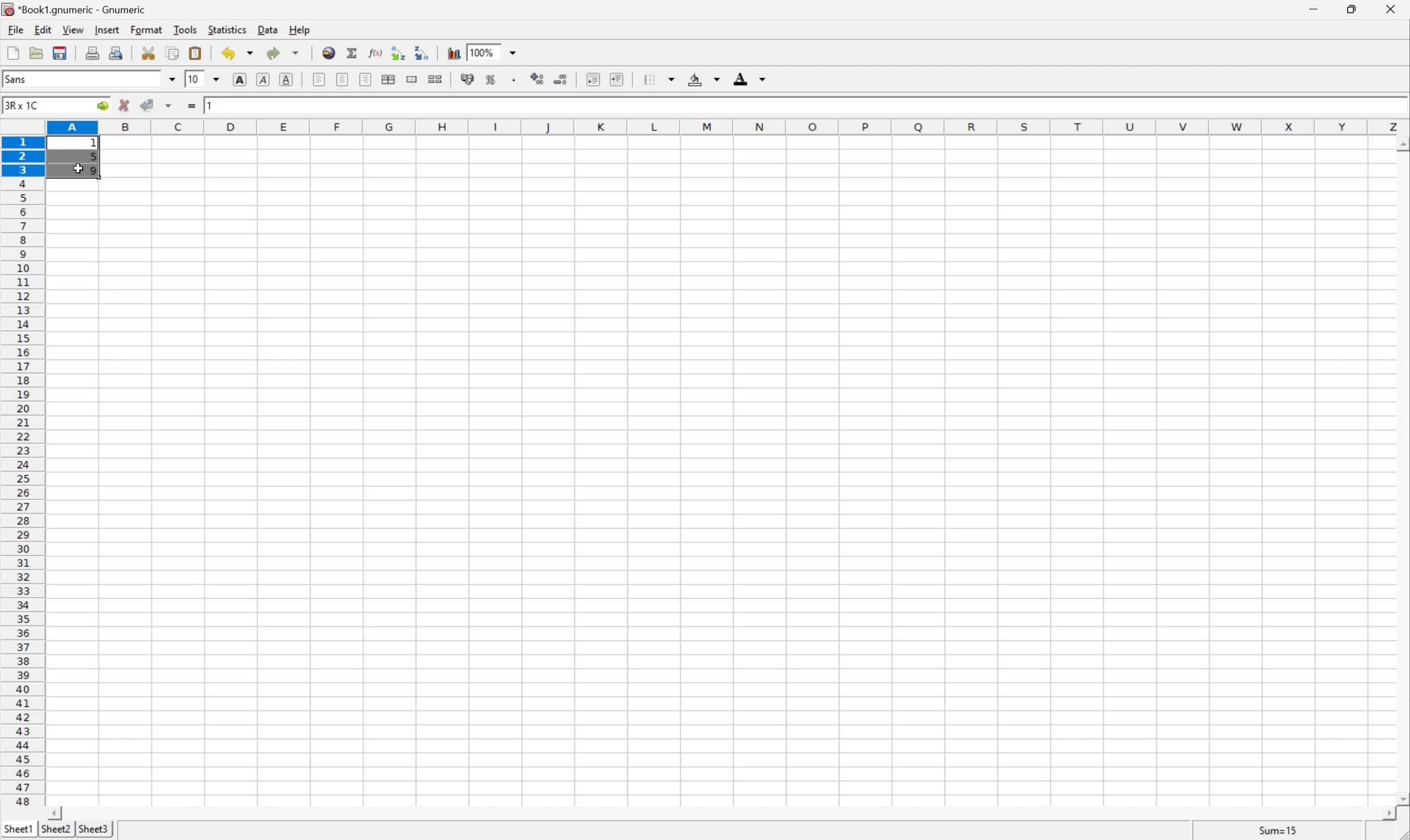  What do you see at coordinates (1278, 830) in the screenshot?
I see `sum=15` at bounding box center [1278, 830].